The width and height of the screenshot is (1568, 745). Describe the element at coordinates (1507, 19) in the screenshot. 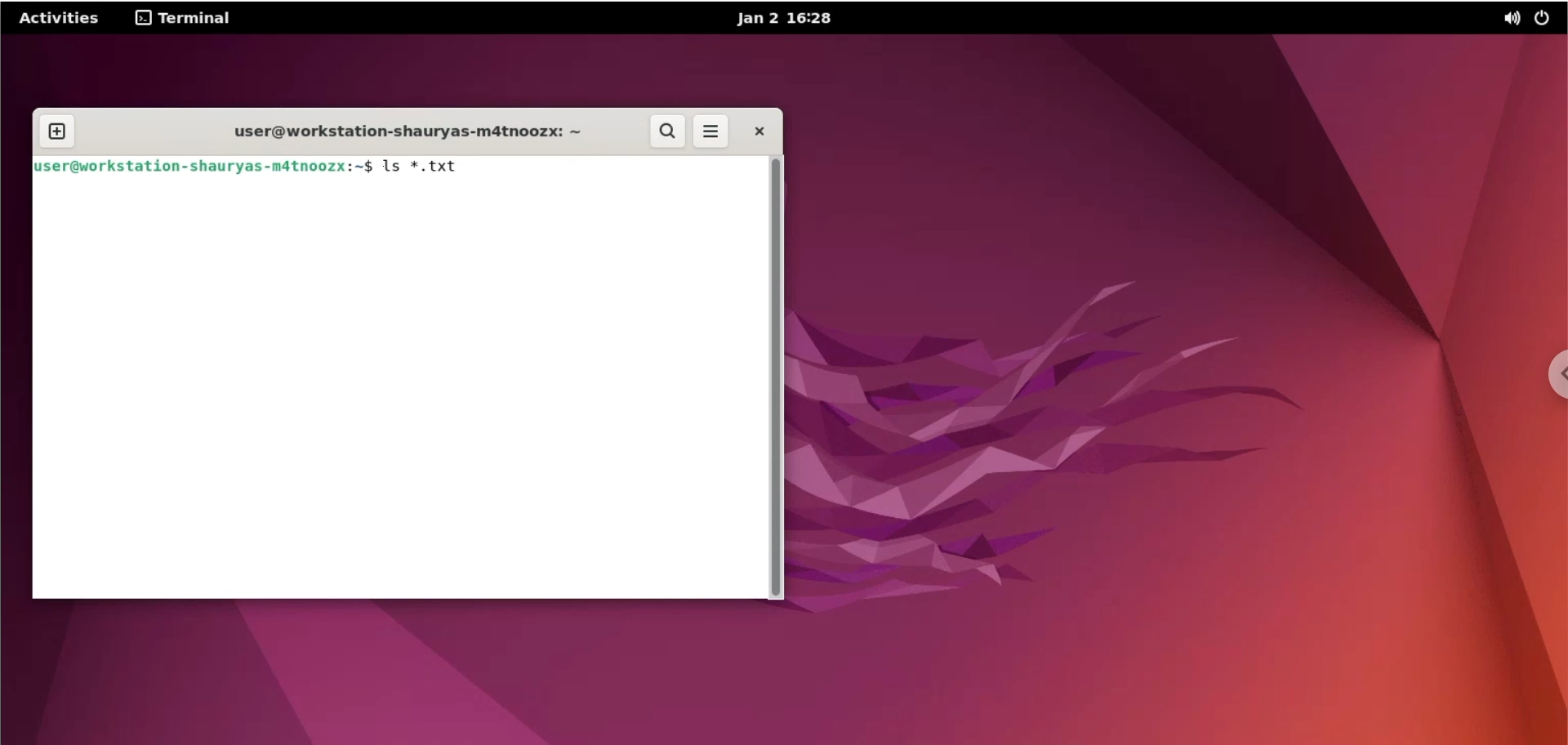

I see `sound options` at that location.